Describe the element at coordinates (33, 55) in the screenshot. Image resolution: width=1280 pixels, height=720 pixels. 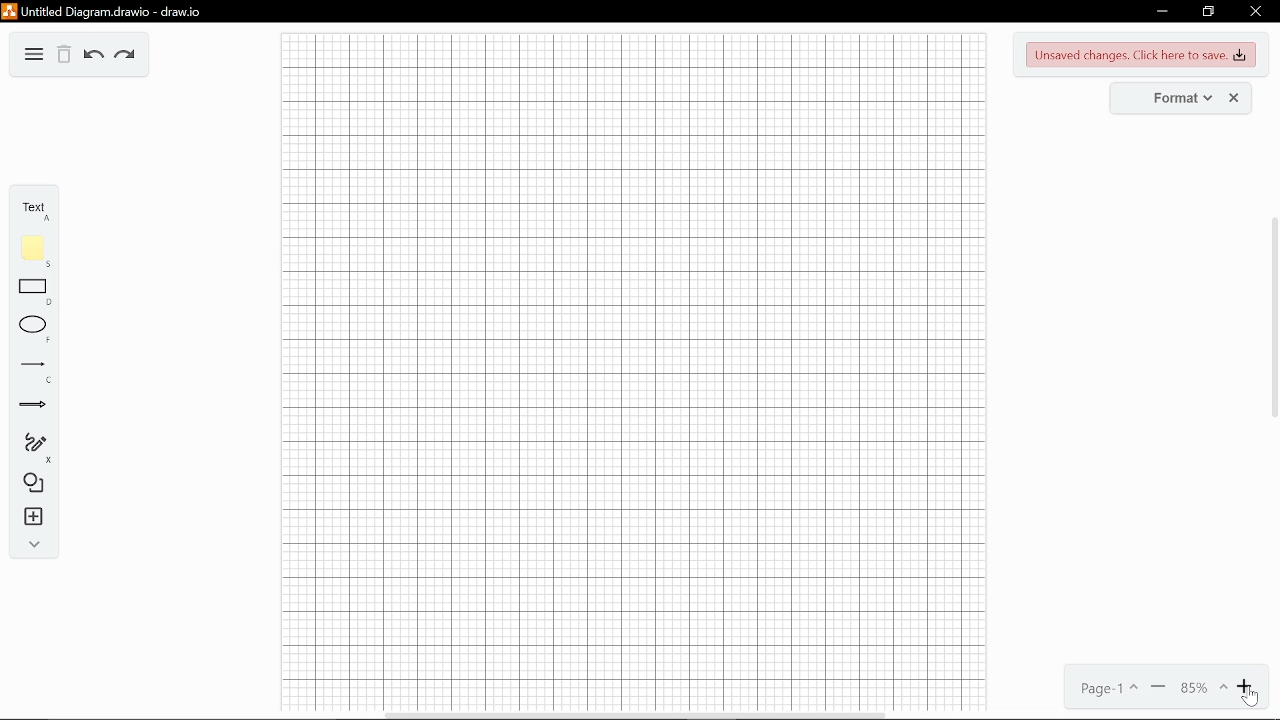
I see `More options` at that location.